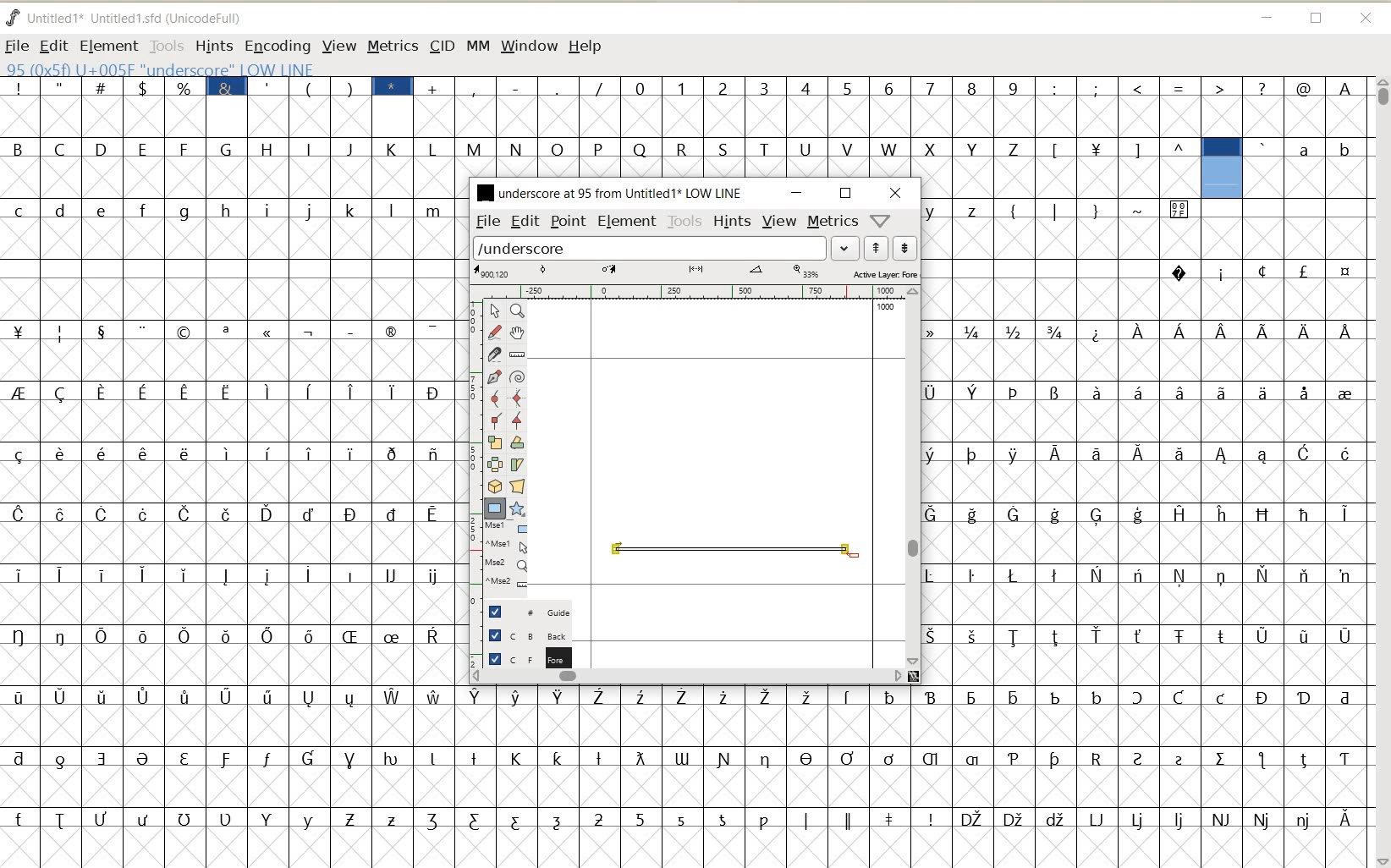 The height and width of the screenshot is (868, 1391). I want to click on add a point, then drag out its control points, so click(495, 377).